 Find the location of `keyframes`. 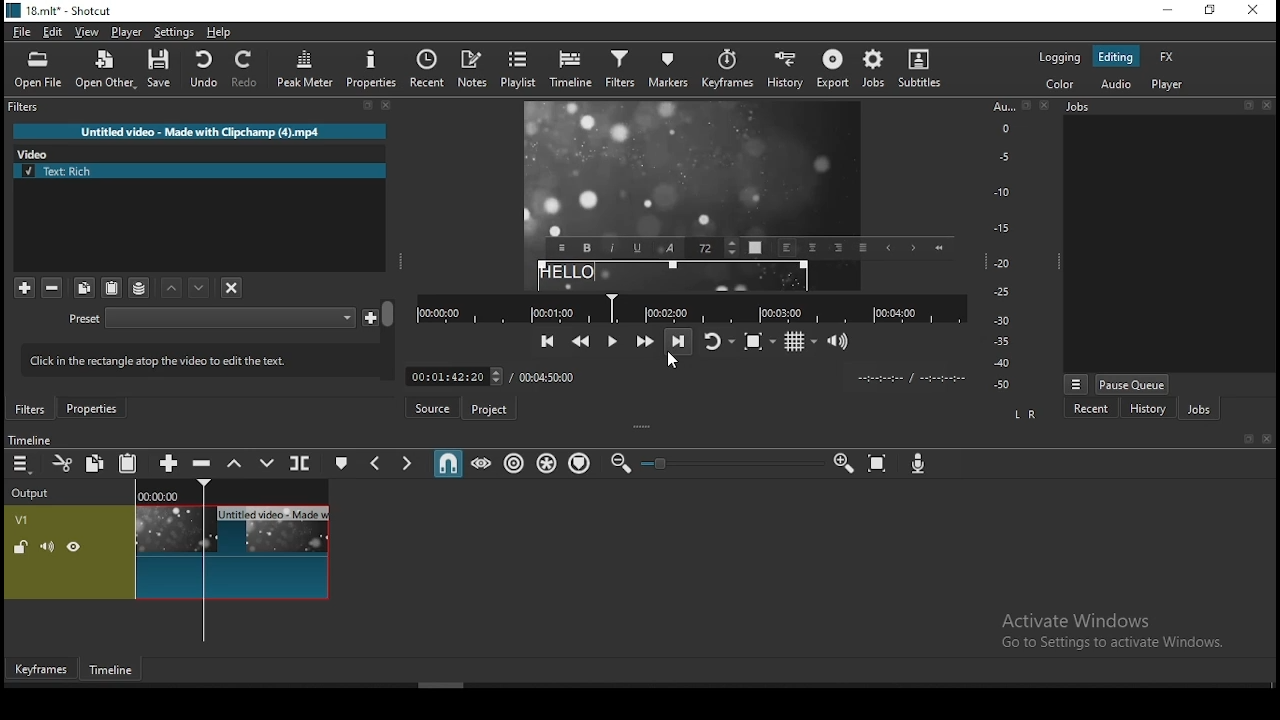

keyframes is located at coordinates (724, 73).